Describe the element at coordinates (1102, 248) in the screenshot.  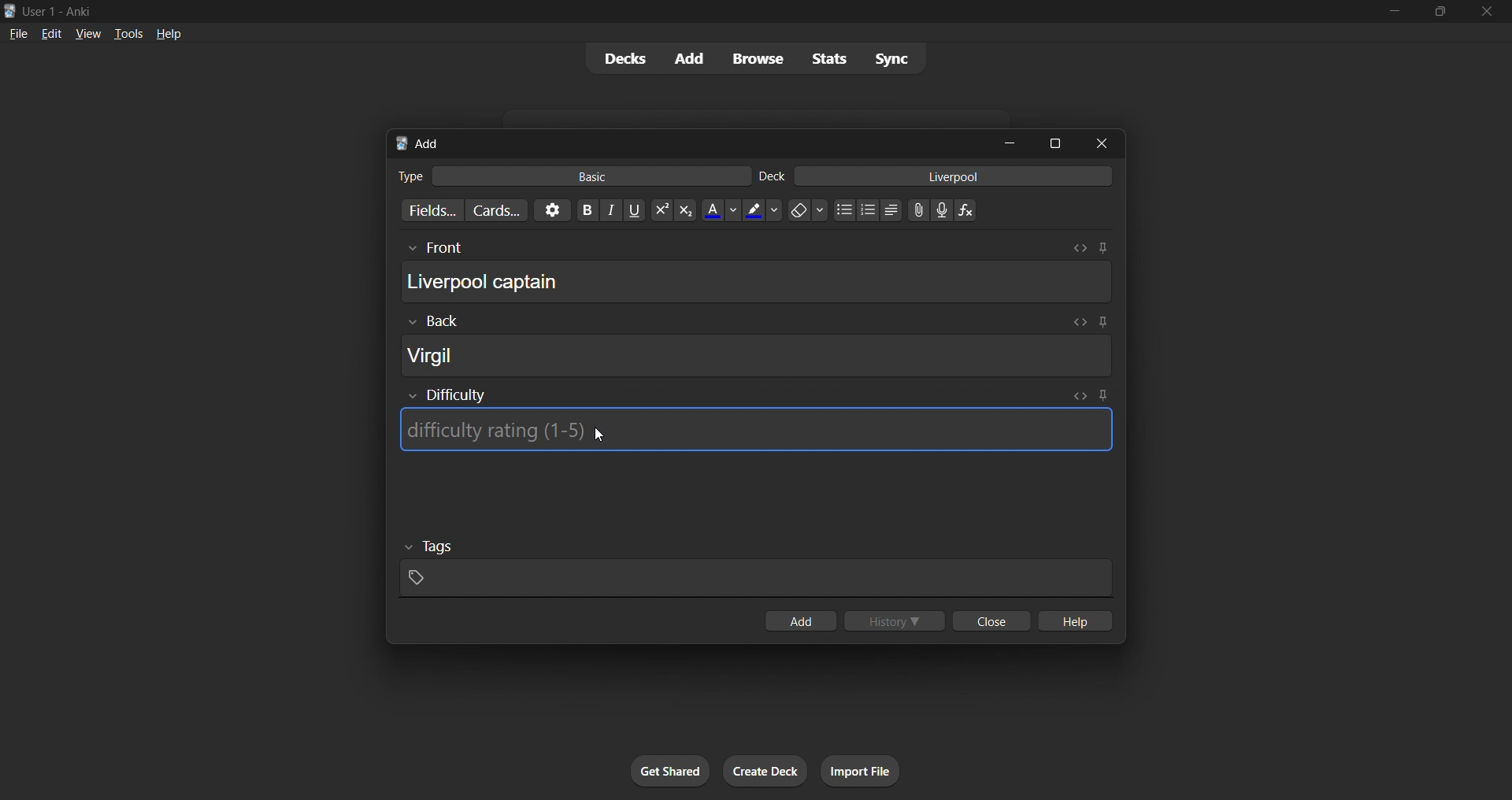
I see `Toggle sticky` at that location.